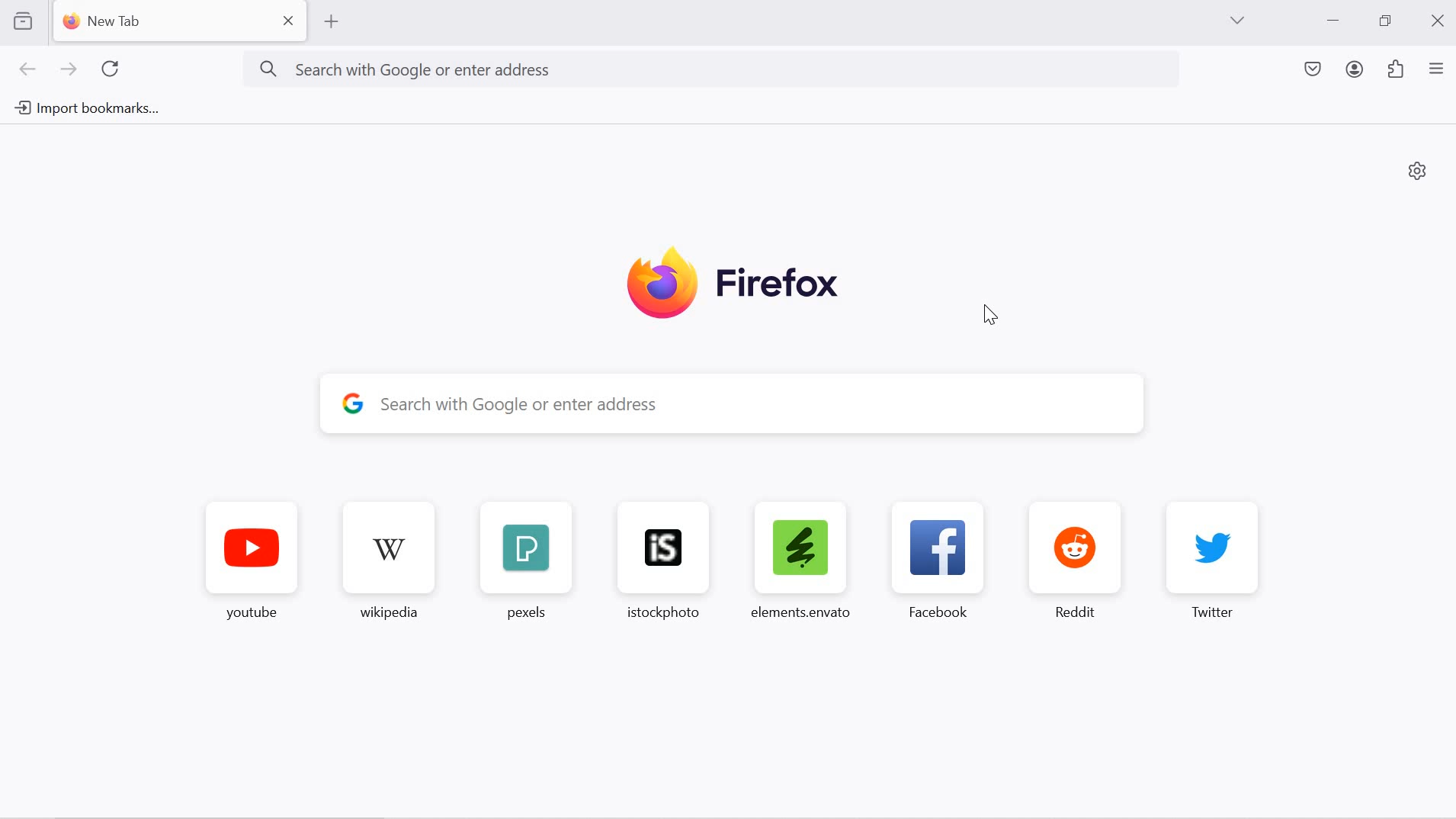 The width and height of the screenshot is (1456, 819). Describe the element at coordinates (1310, 69) in the screenshot. I see `save to pocket` at that location.